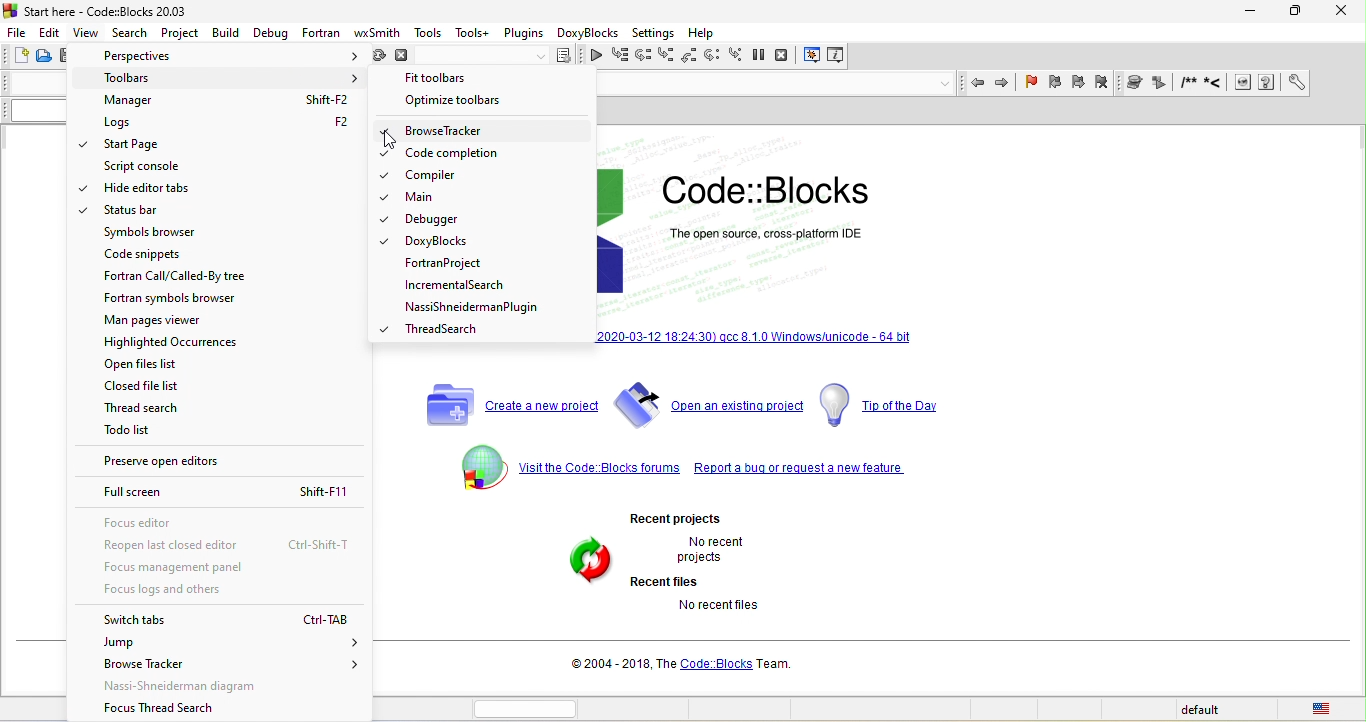  What do you see at coordinates (1246, 11) in the screenshot?
I see `minimize` at bounding box center [1246, 11].